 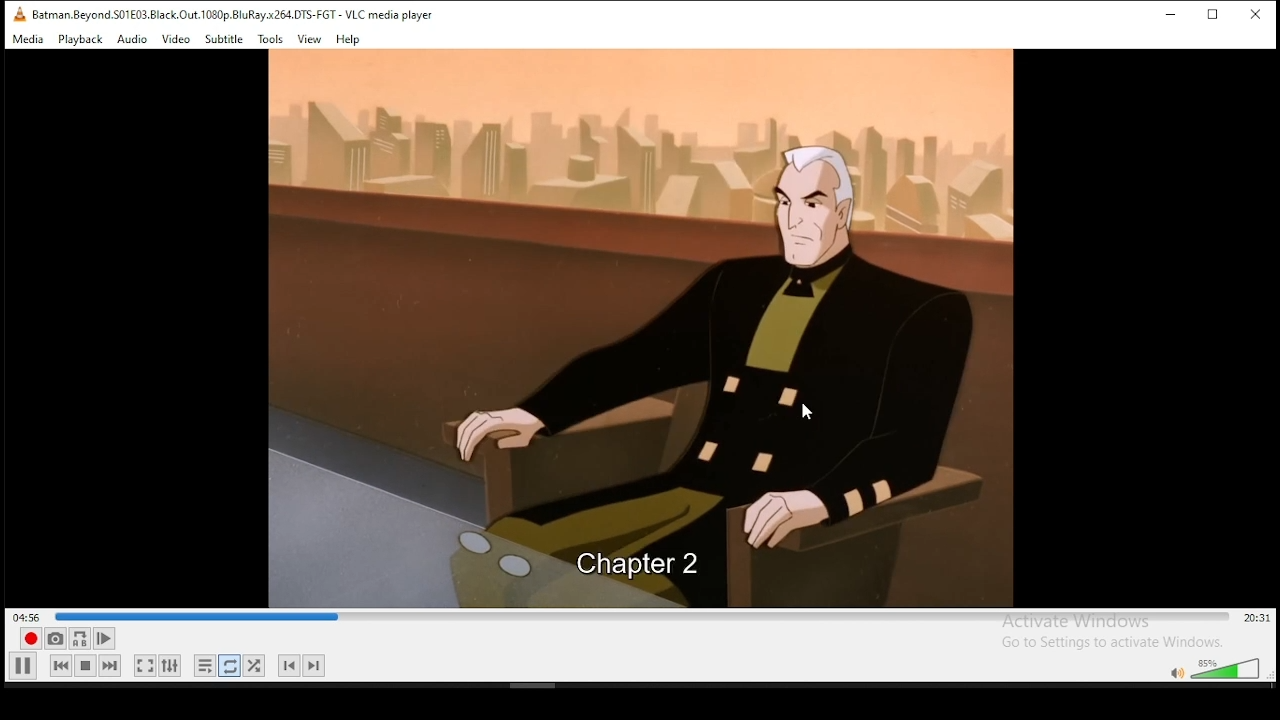 I want to click on Subtitle, so click(x=224, y=40).